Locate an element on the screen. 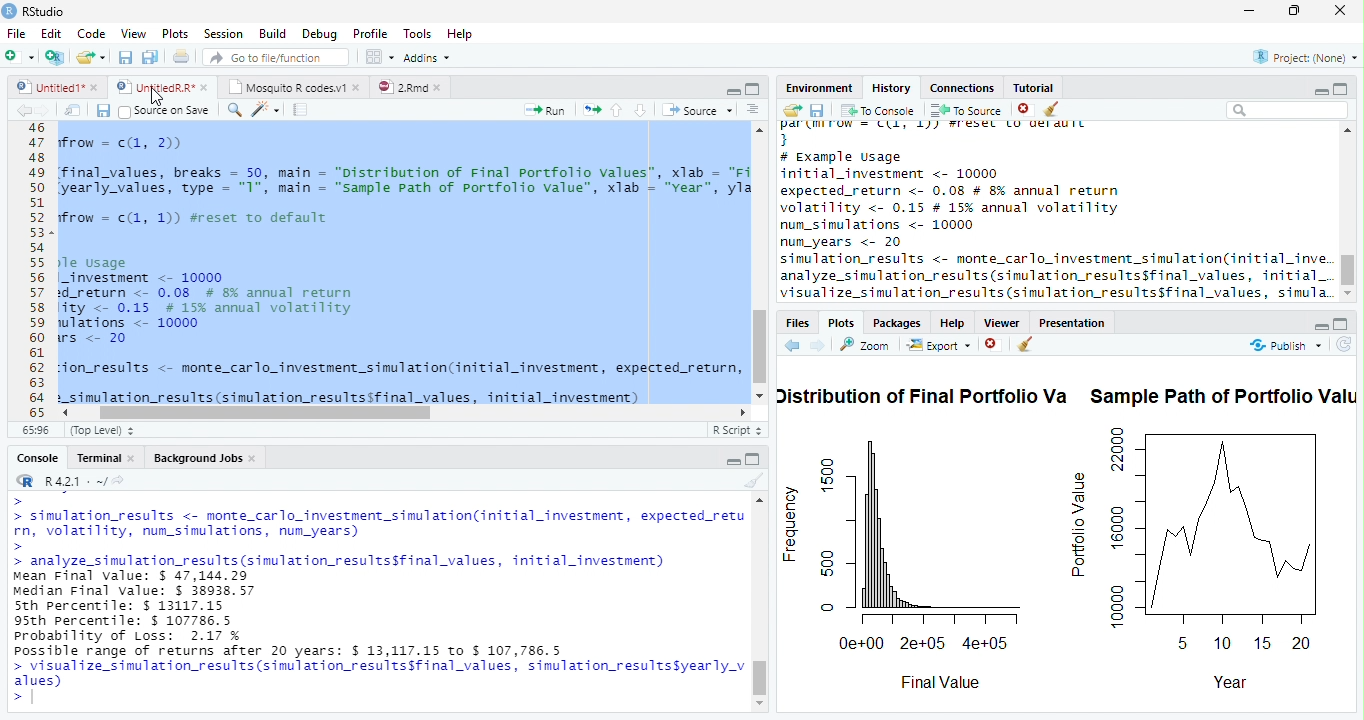 The width and height of the screenshot is (1364, 720). Export is located at coordinates (937, 345).